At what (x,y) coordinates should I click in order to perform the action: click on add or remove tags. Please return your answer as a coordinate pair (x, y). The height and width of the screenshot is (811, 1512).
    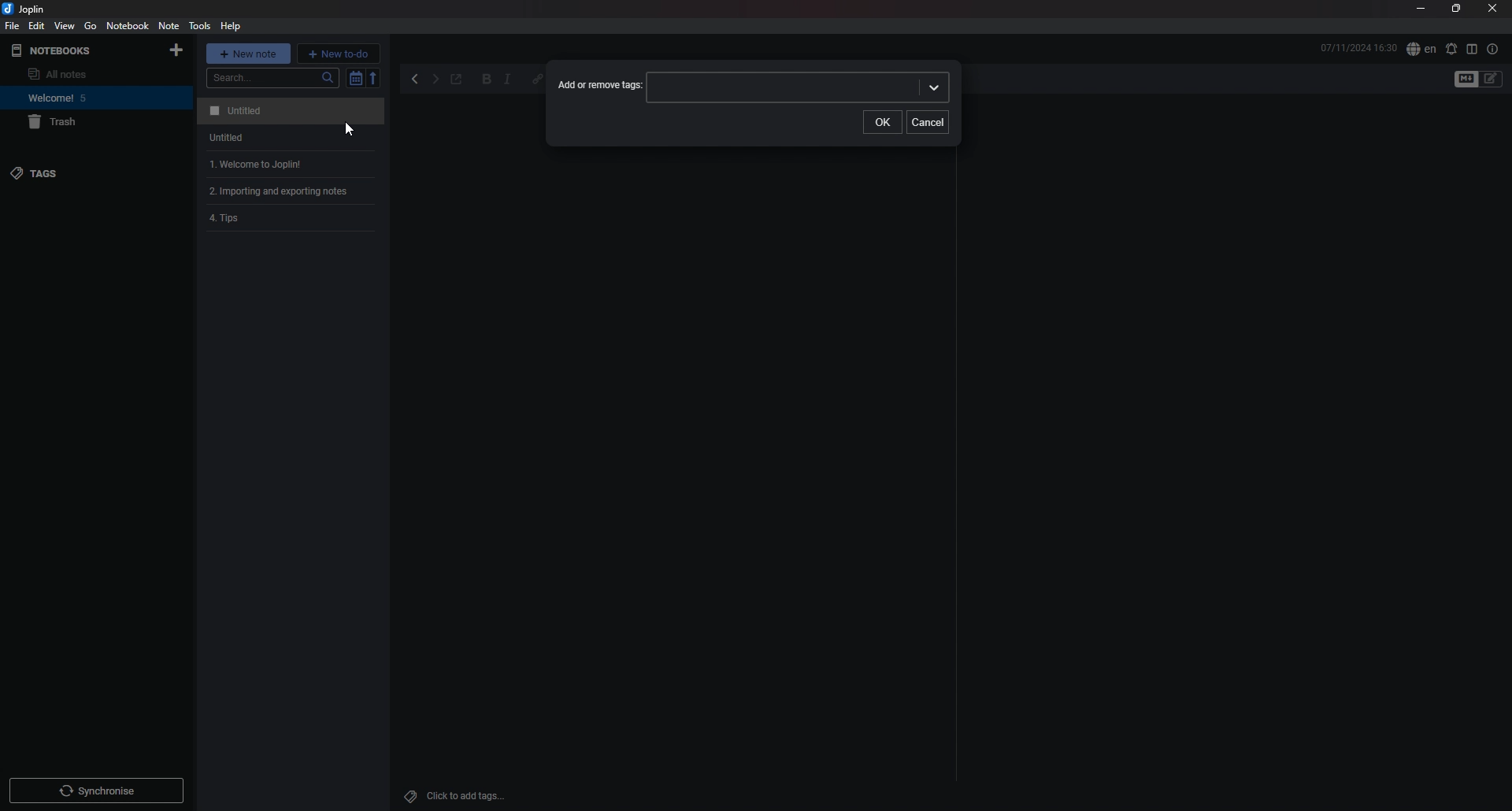
    Looking at the image, I should click on (600, 87).